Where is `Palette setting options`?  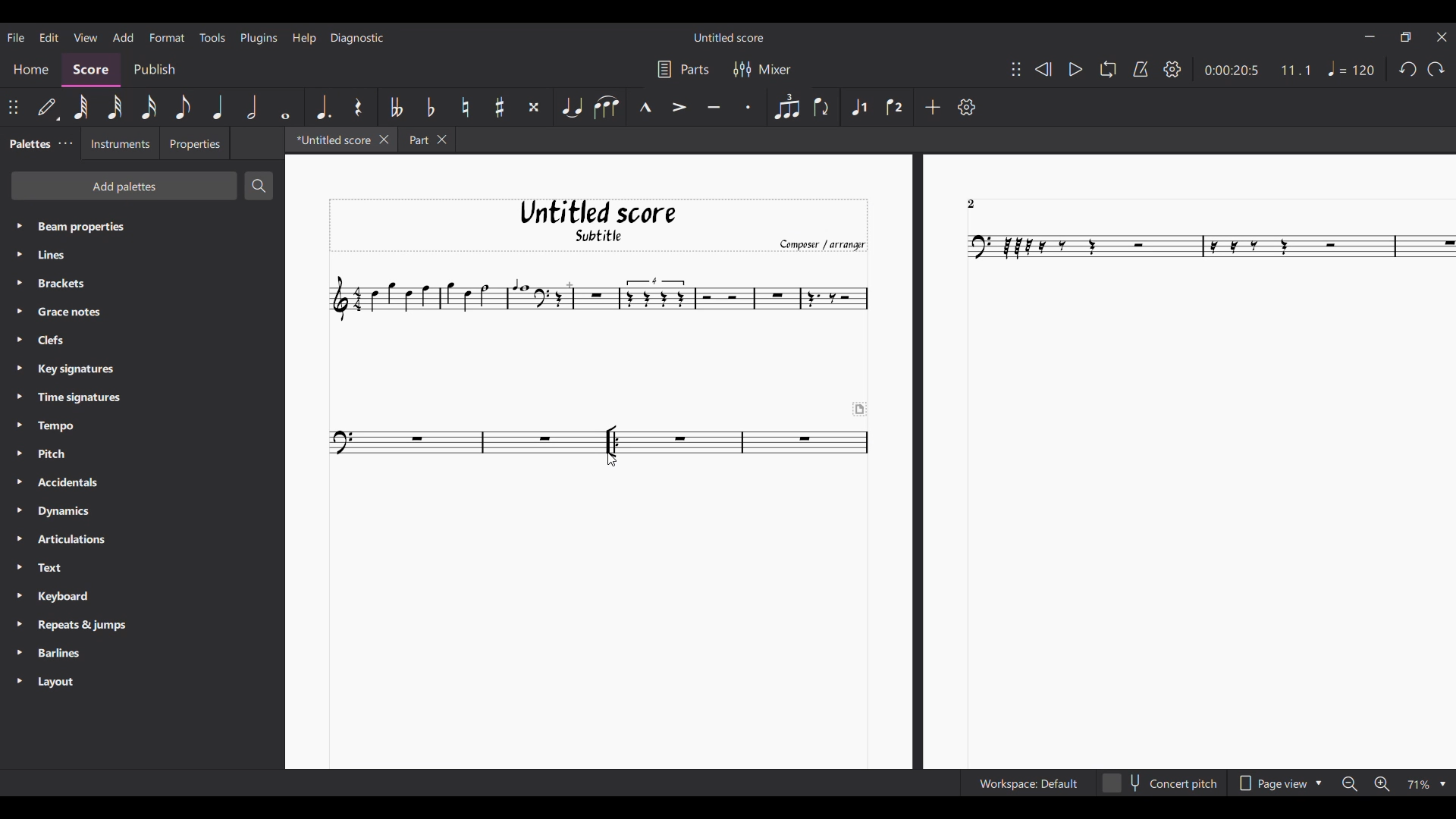 Palette setting options is located at coordinates (154, 455).